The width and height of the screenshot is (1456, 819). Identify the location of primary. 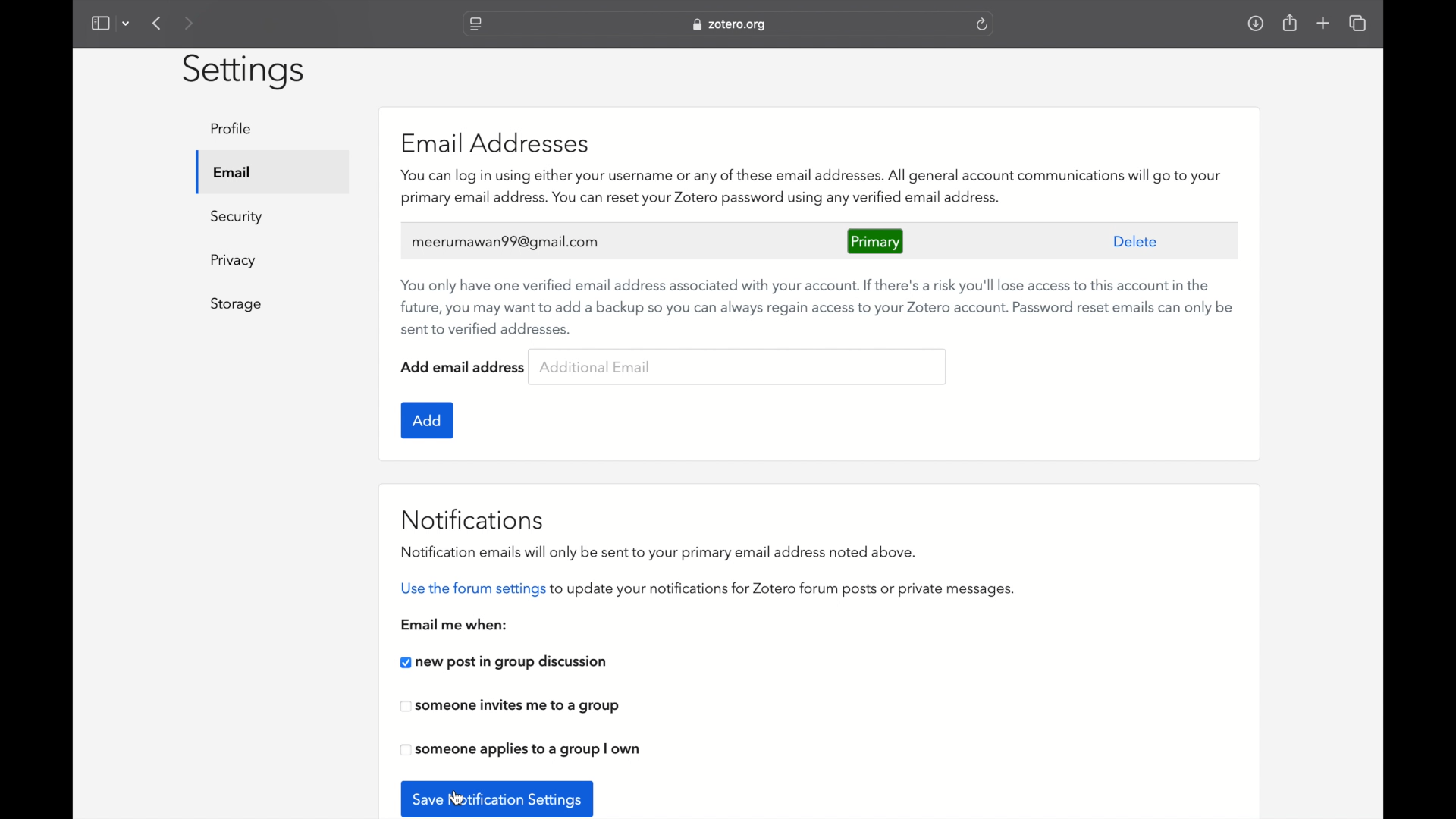
(877, 240).